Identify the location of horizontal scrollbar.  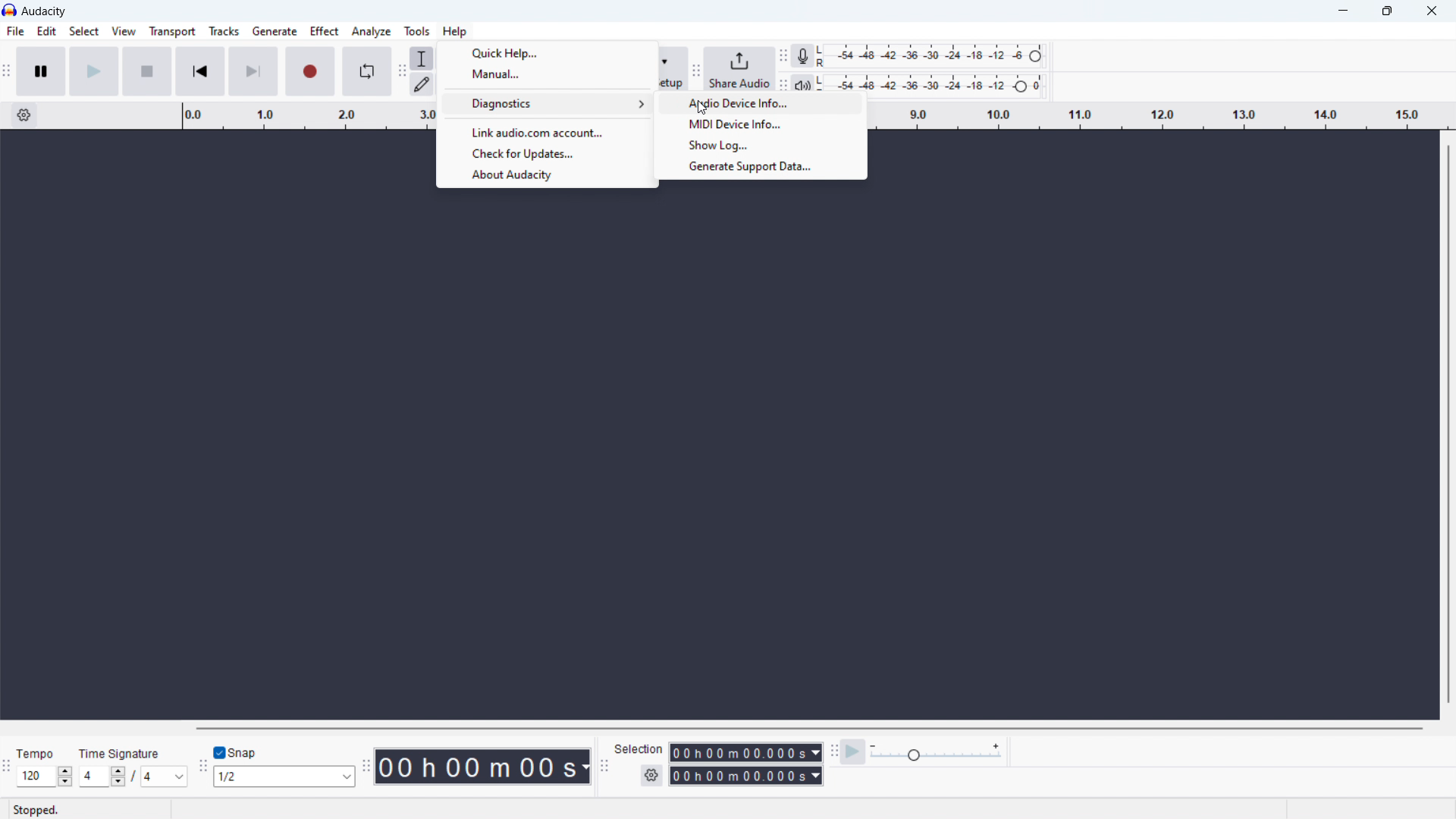
(805, 728).